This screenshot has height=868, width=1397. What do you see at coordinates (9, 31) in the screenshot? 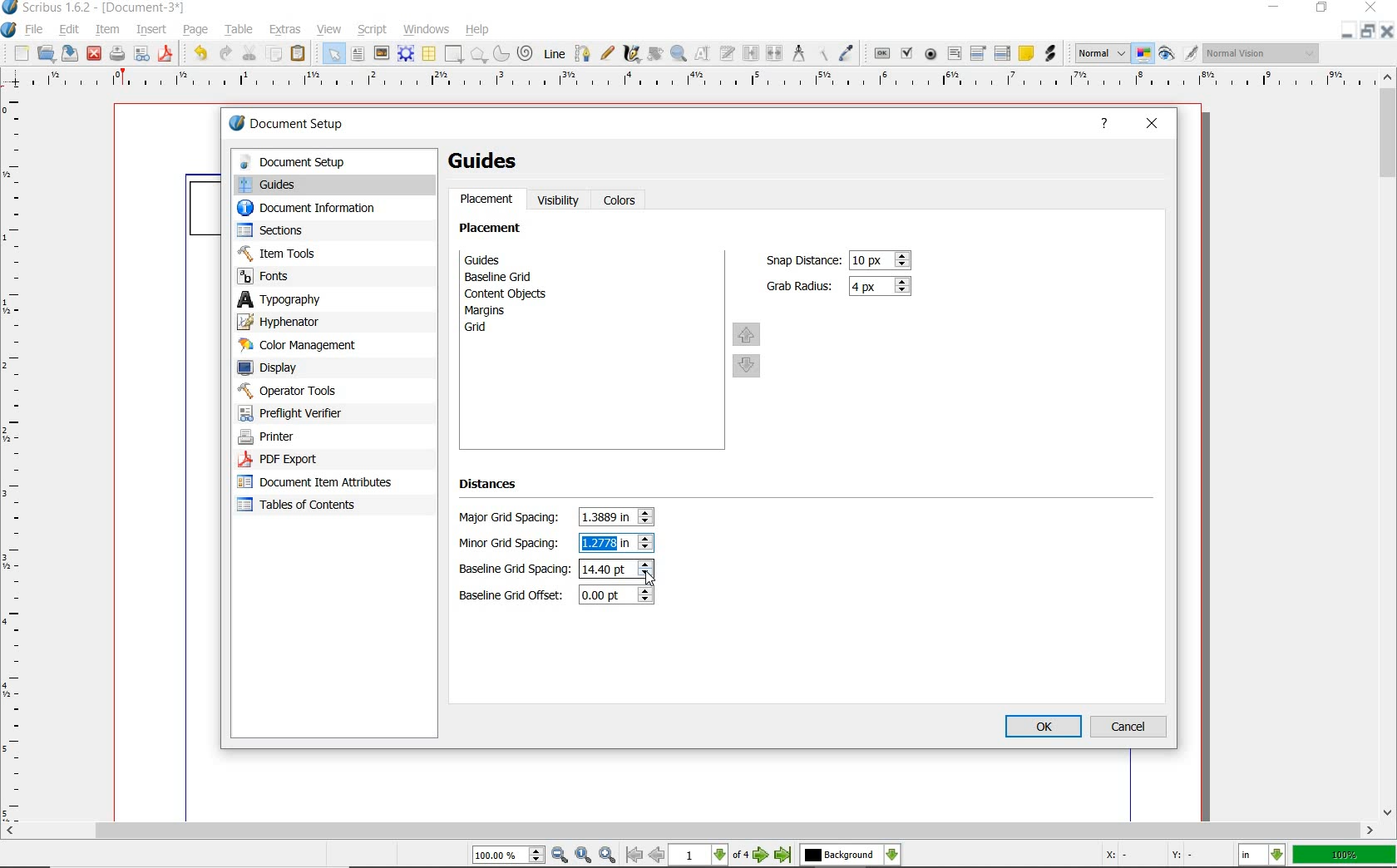
I see `system logo` at bounding box center [9, 31].